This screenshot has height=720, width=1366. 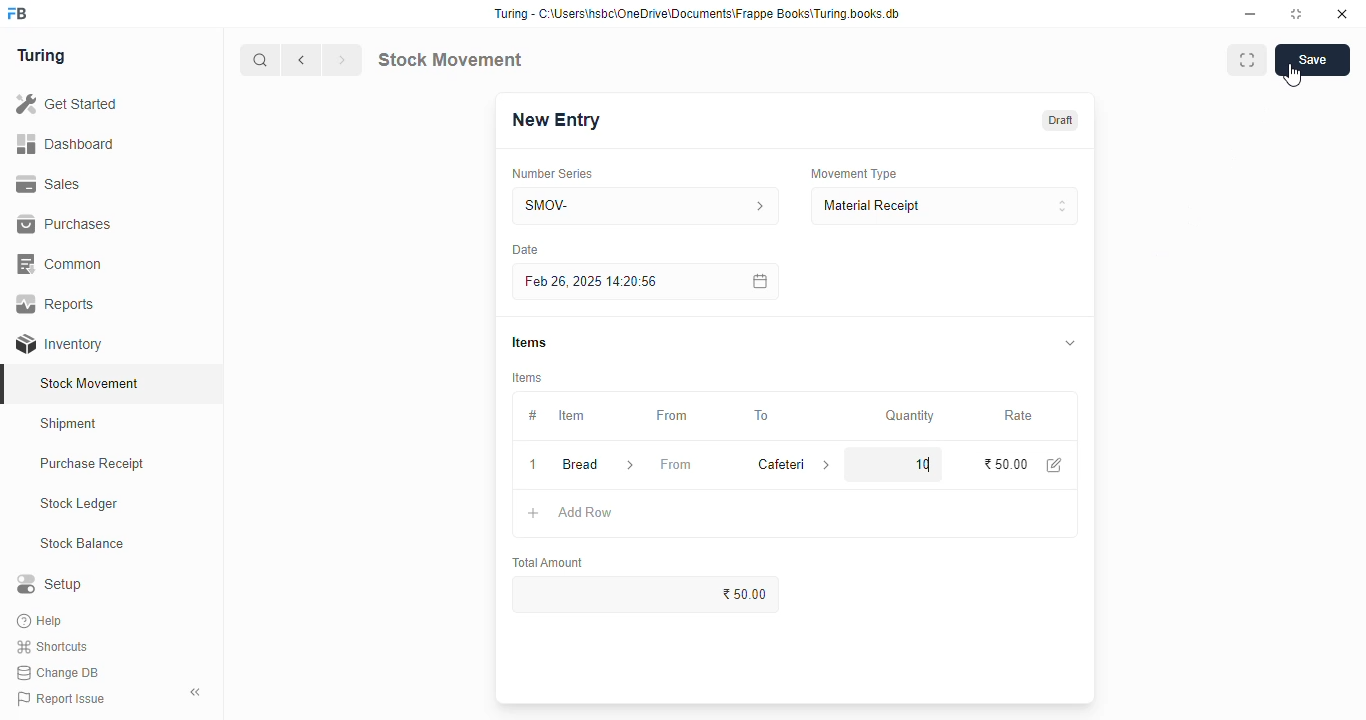 What do you see at coordinates (776, 464) in the screenshot?
I see `cafeteria` at bounding box center [776, 464].